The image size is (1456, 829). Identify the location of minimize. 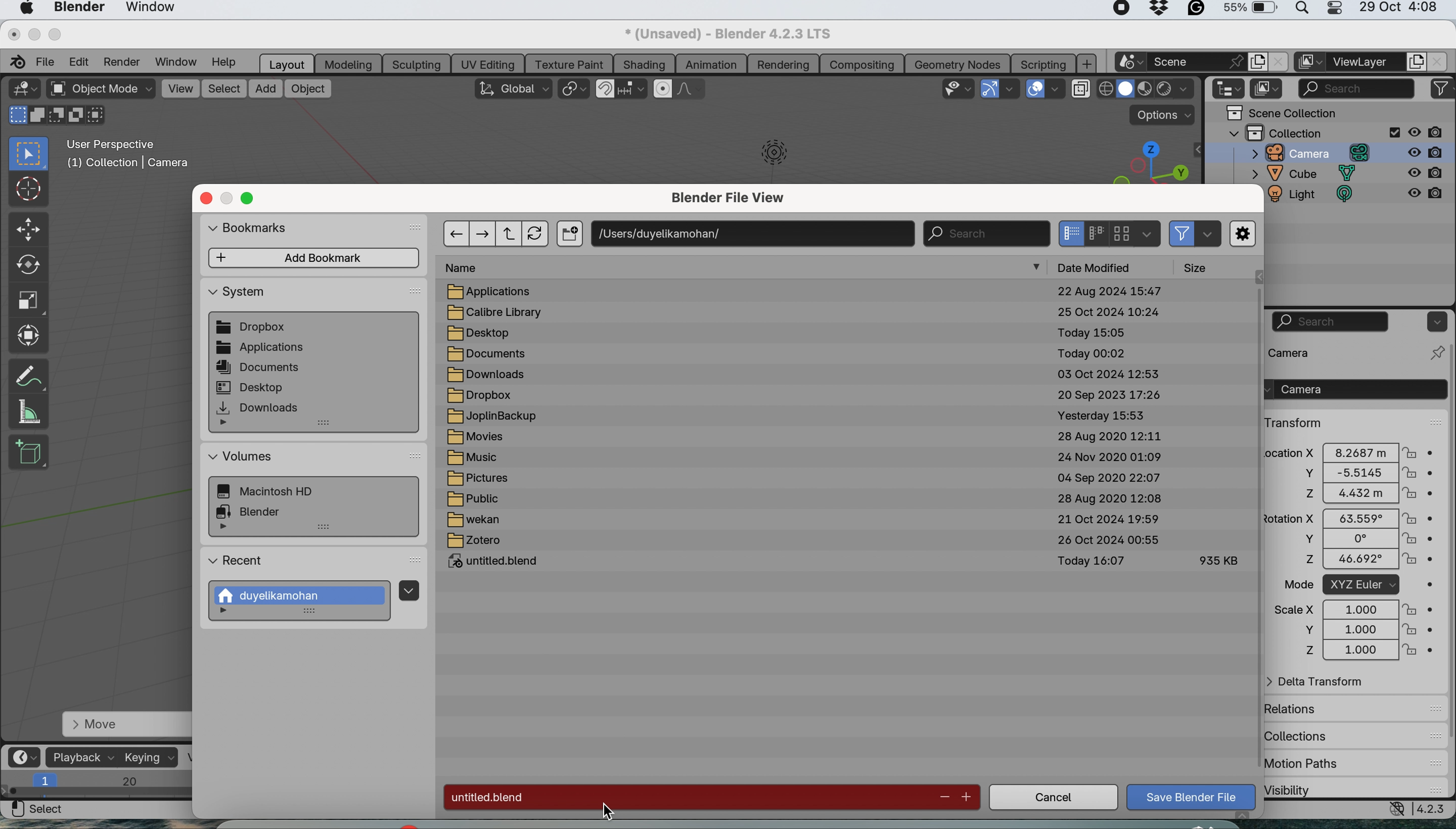
(228, 199).